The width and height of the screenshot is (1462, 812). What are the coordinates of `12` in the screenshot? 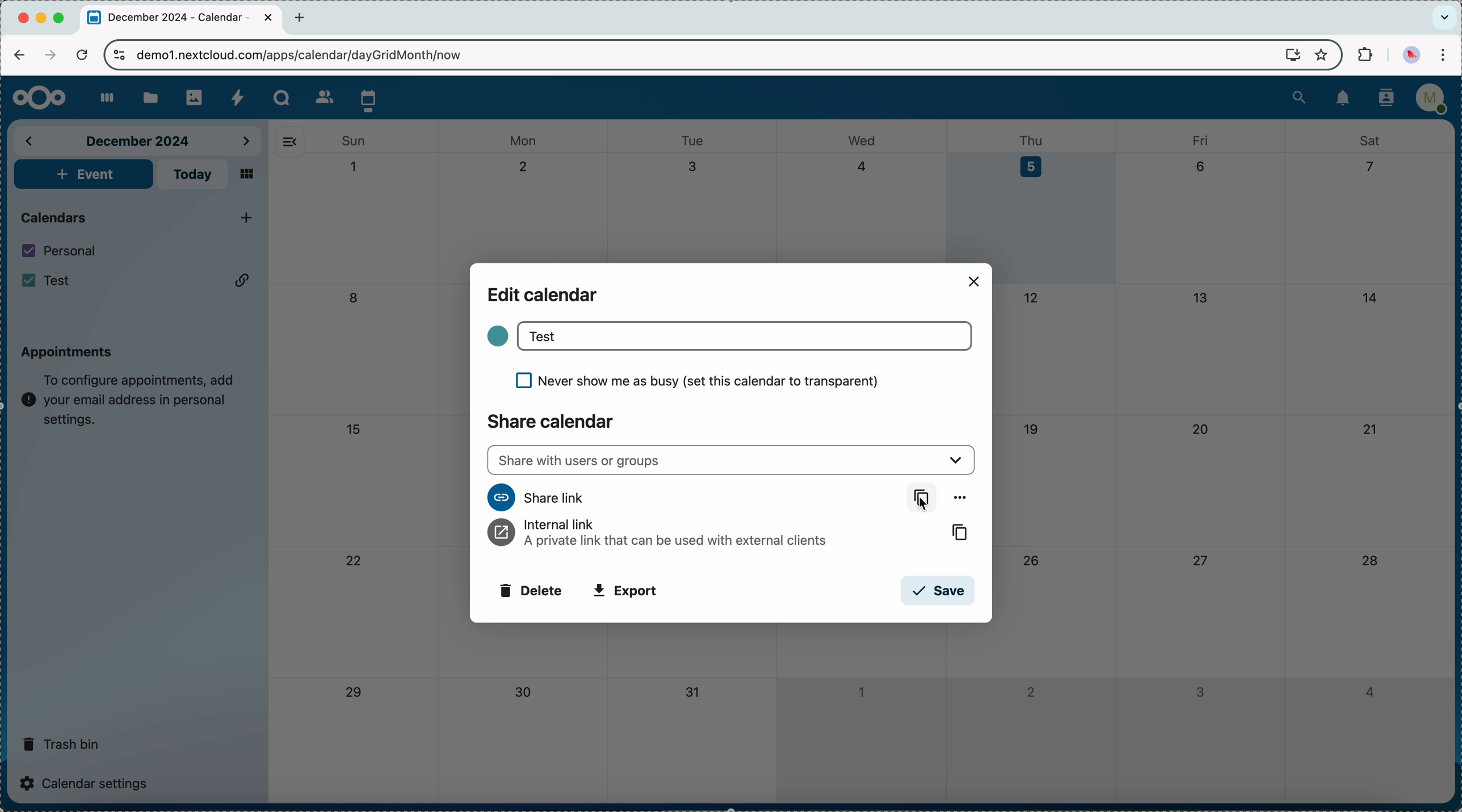 It's located at (1032, 298).